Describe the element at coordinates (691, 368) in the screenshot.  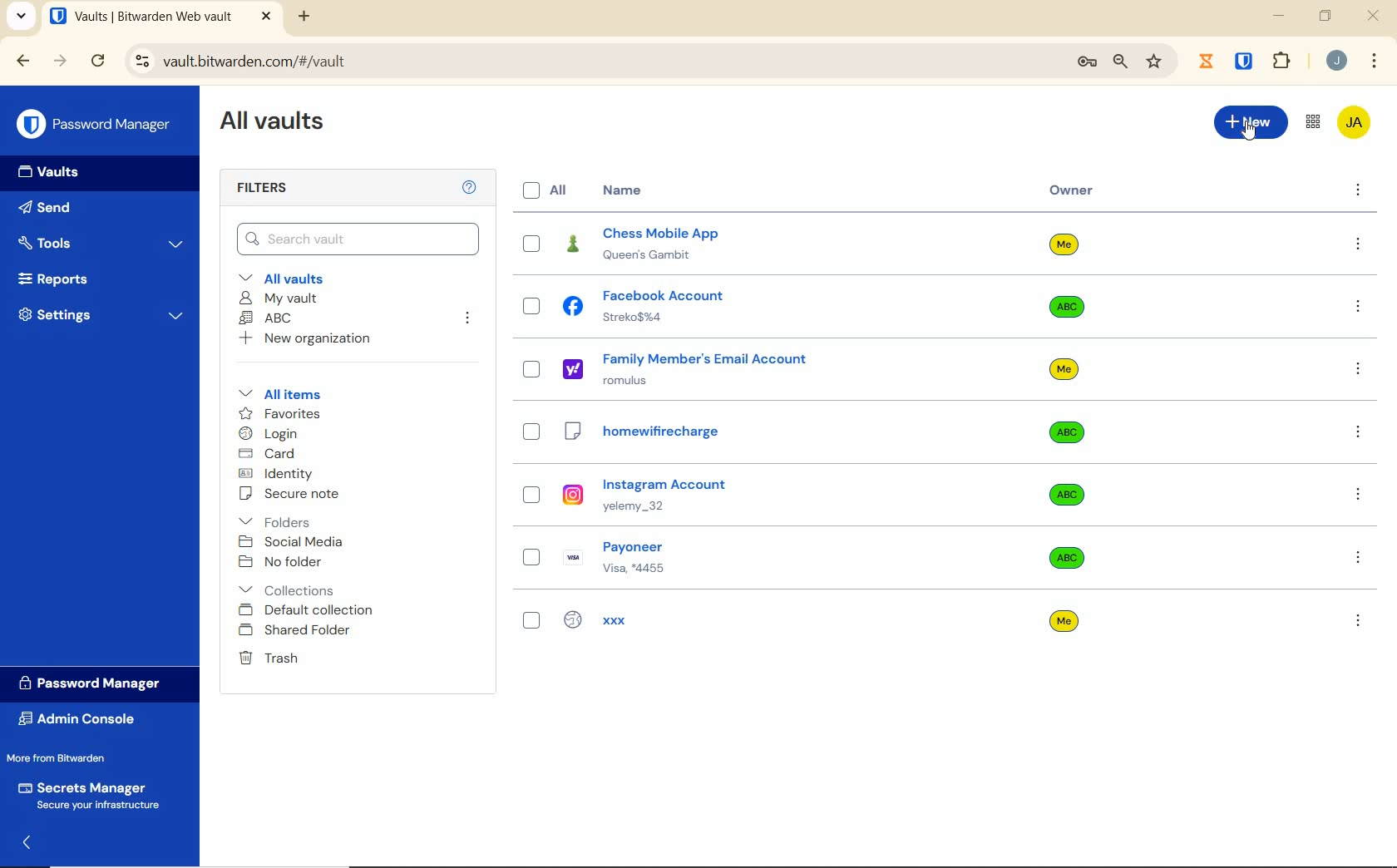
I see `Family Member's Email Account` at that location.